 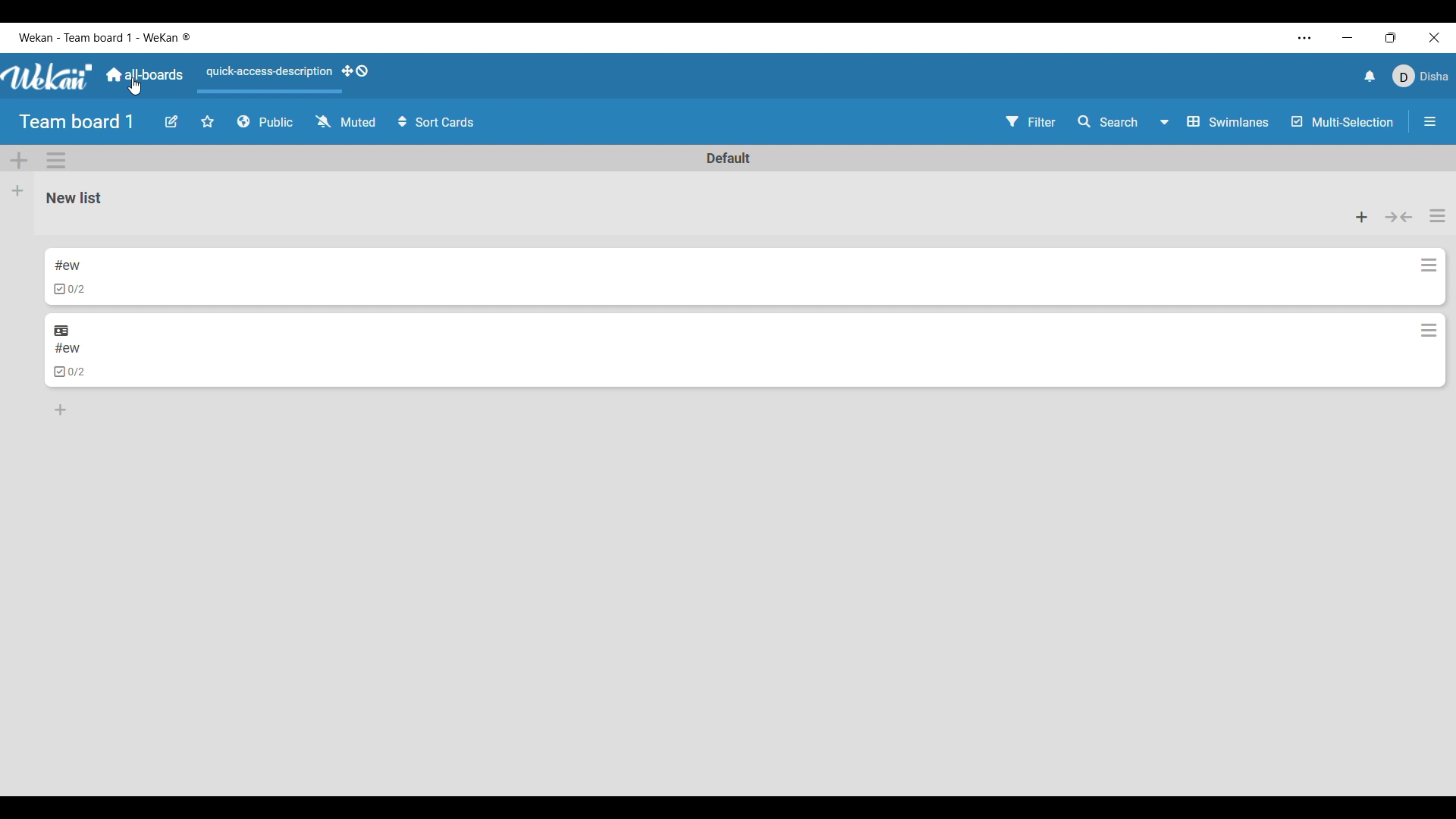 What do you see at coordinates (1362, 217) in the screenshot?
I see `Add card to top of list ` at bounding box center [1362, 217].